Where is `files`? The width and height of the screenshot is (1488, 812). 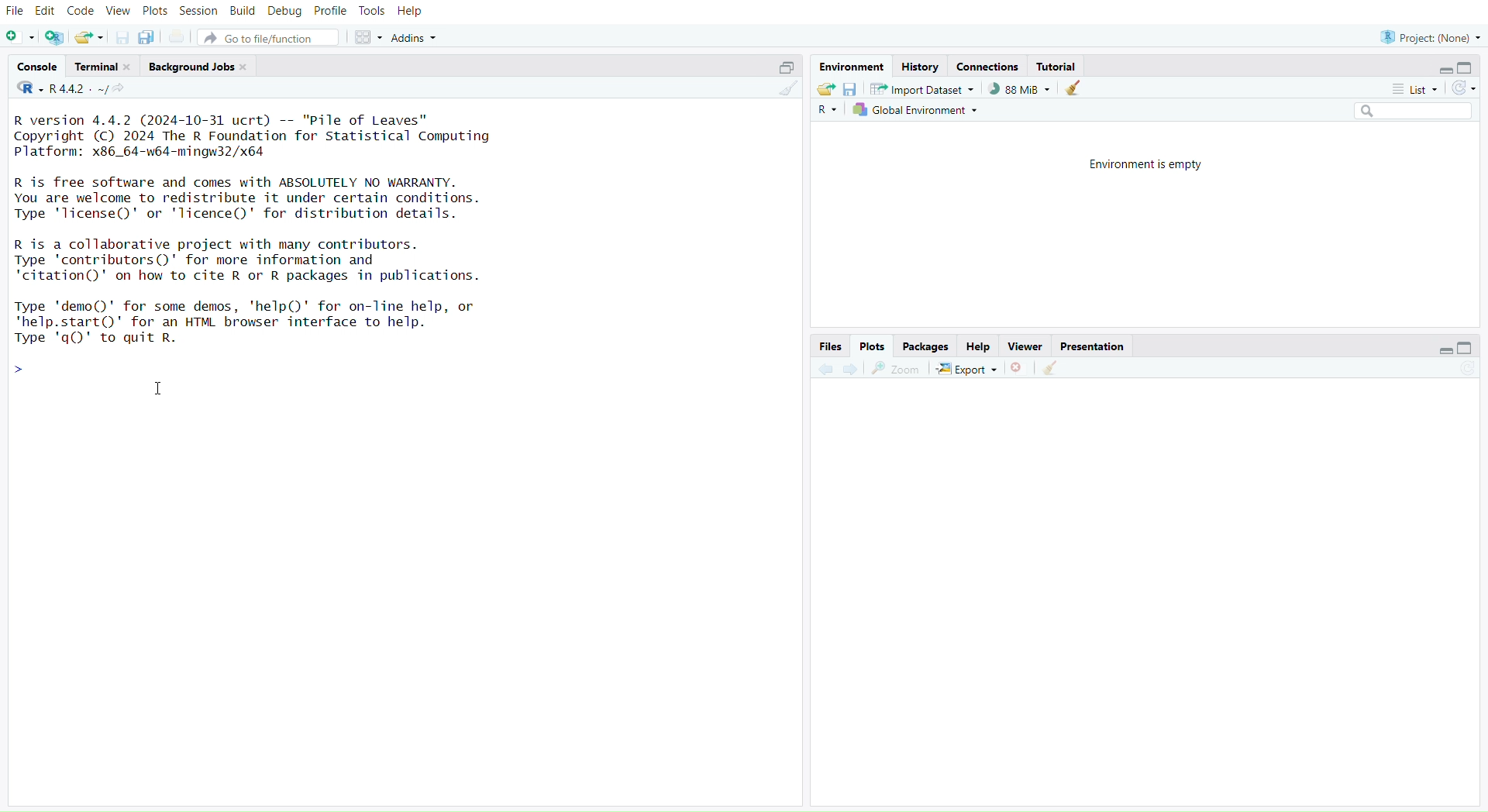
files is located at coordinates (828, 347).